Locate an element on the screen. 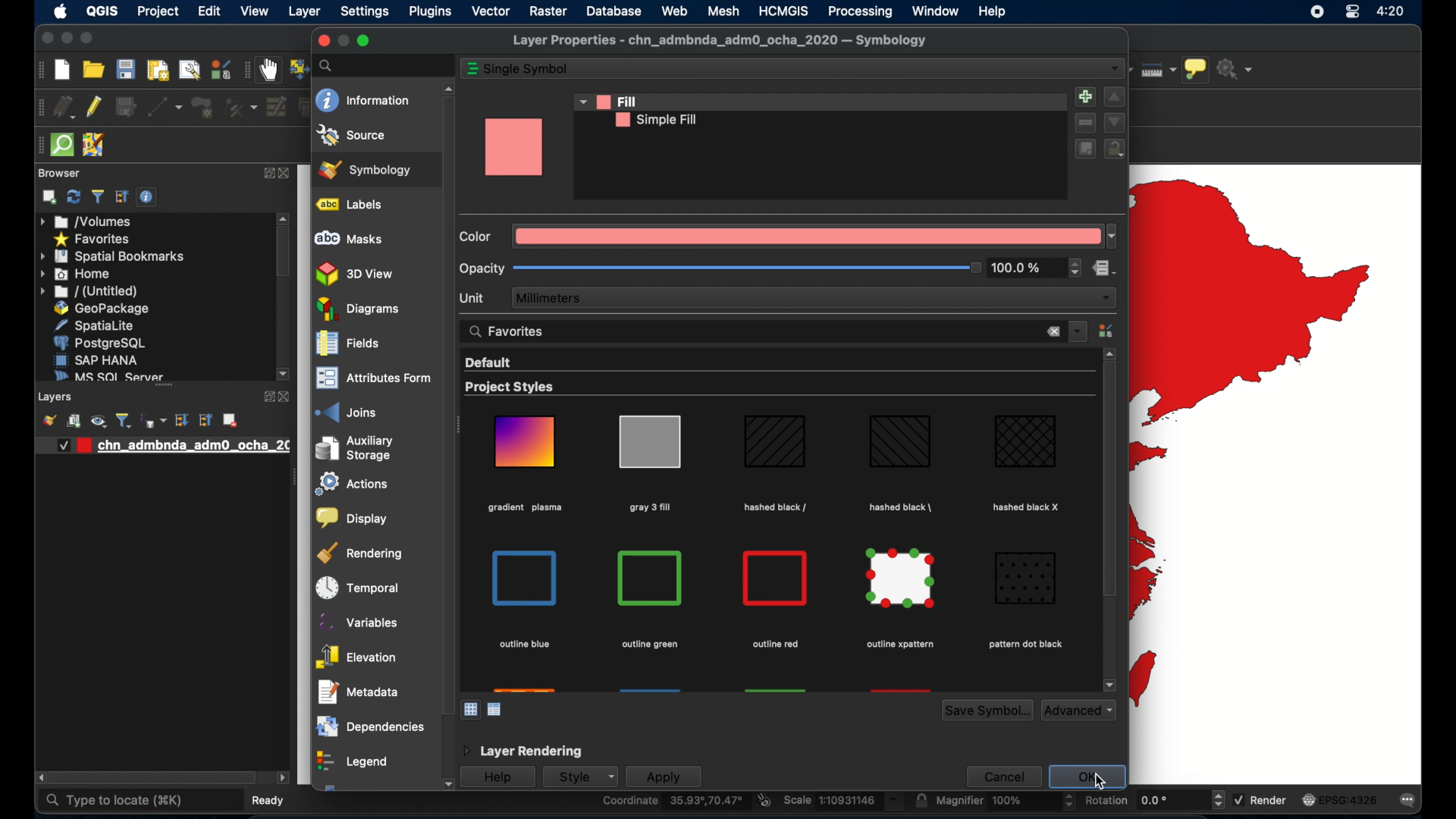 This screenshot has height=819, width=1456. no action selected is located at coordinates (1238, 68).